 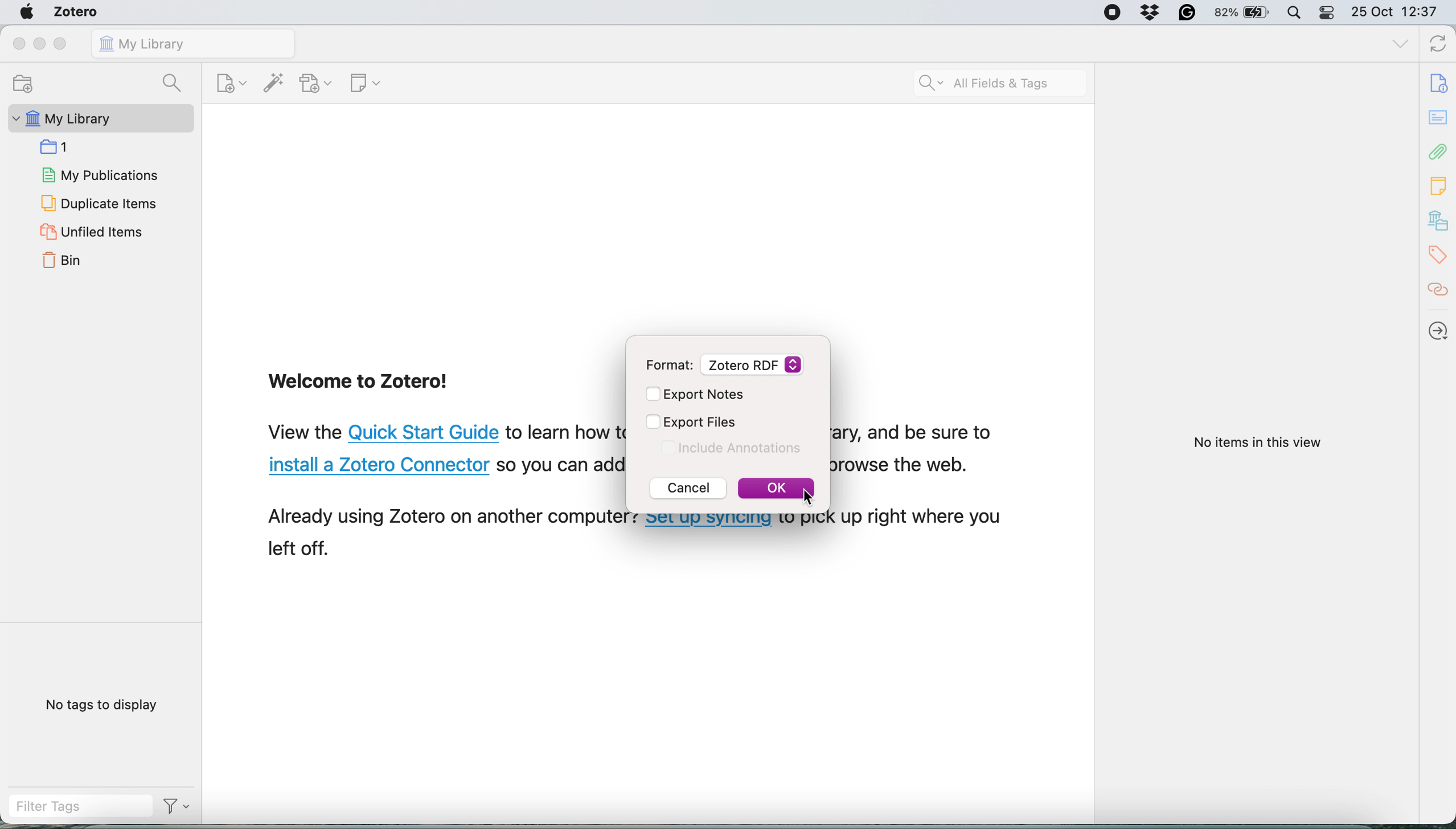 What do you see at coordinates (1149, 11) in the screenshot?
I see `Dropbox` at bounding box center [1149, 11].